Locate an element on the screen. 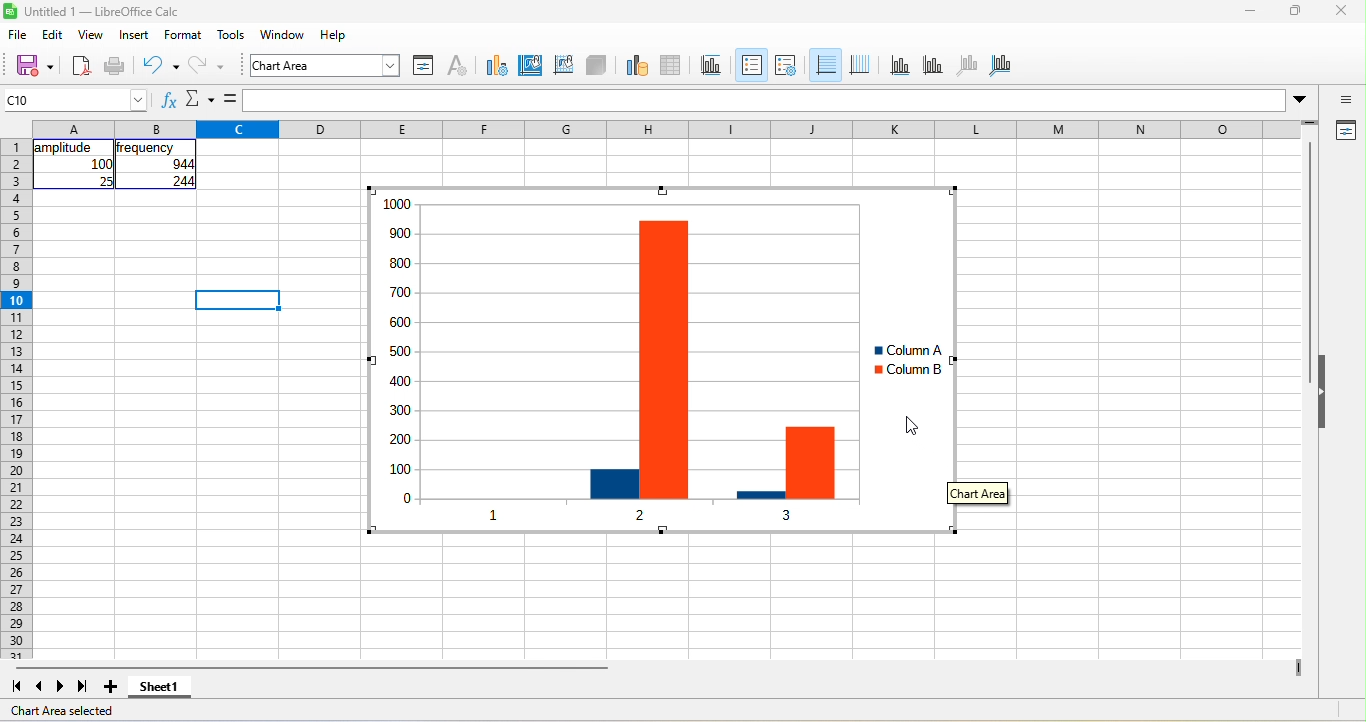  is equal to symbol is located at coordinates (230, 99).